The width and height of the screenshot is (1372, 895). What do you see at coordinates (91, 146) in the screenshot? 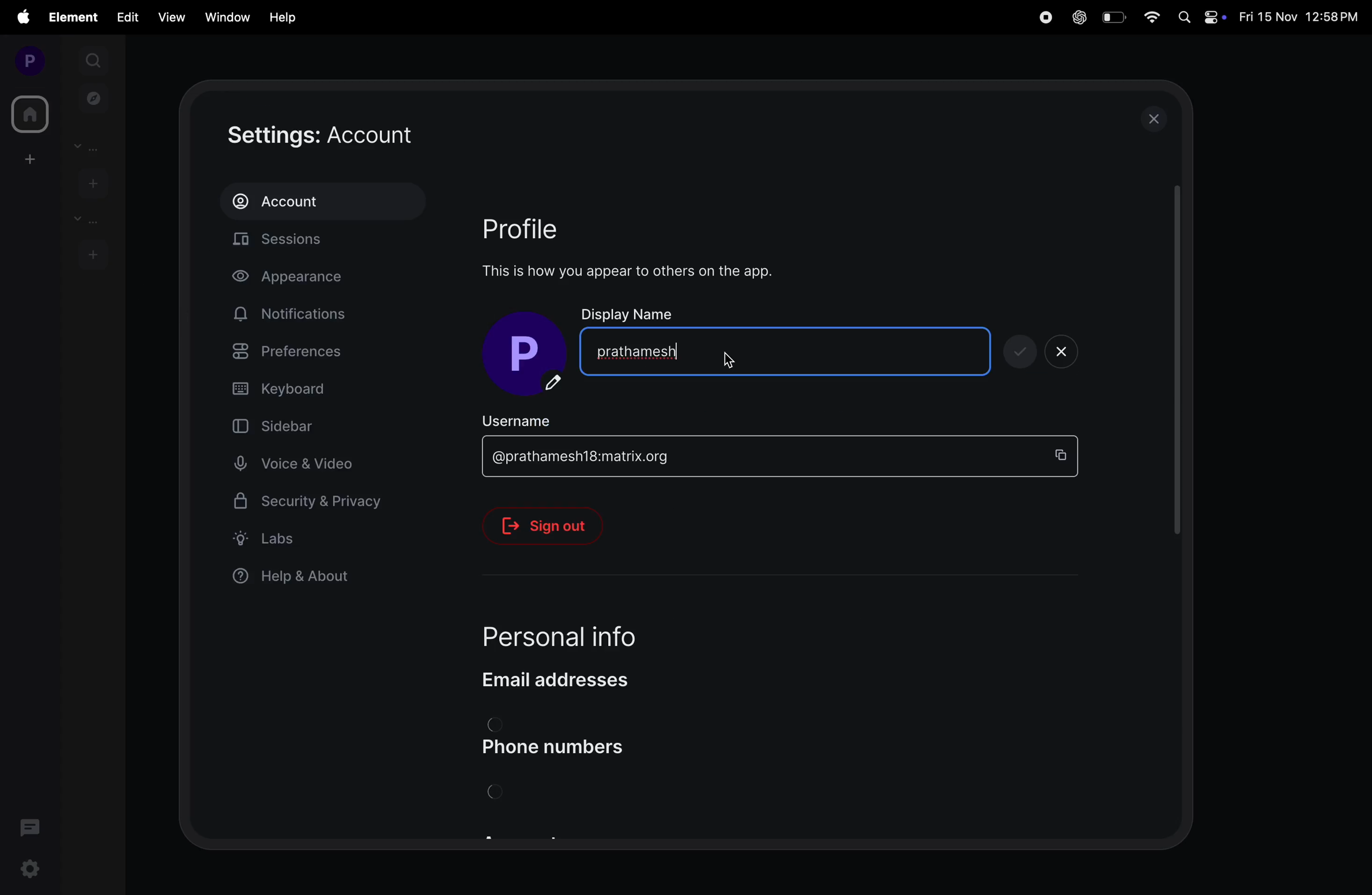
I see `people` at bounding box center [91, 146].